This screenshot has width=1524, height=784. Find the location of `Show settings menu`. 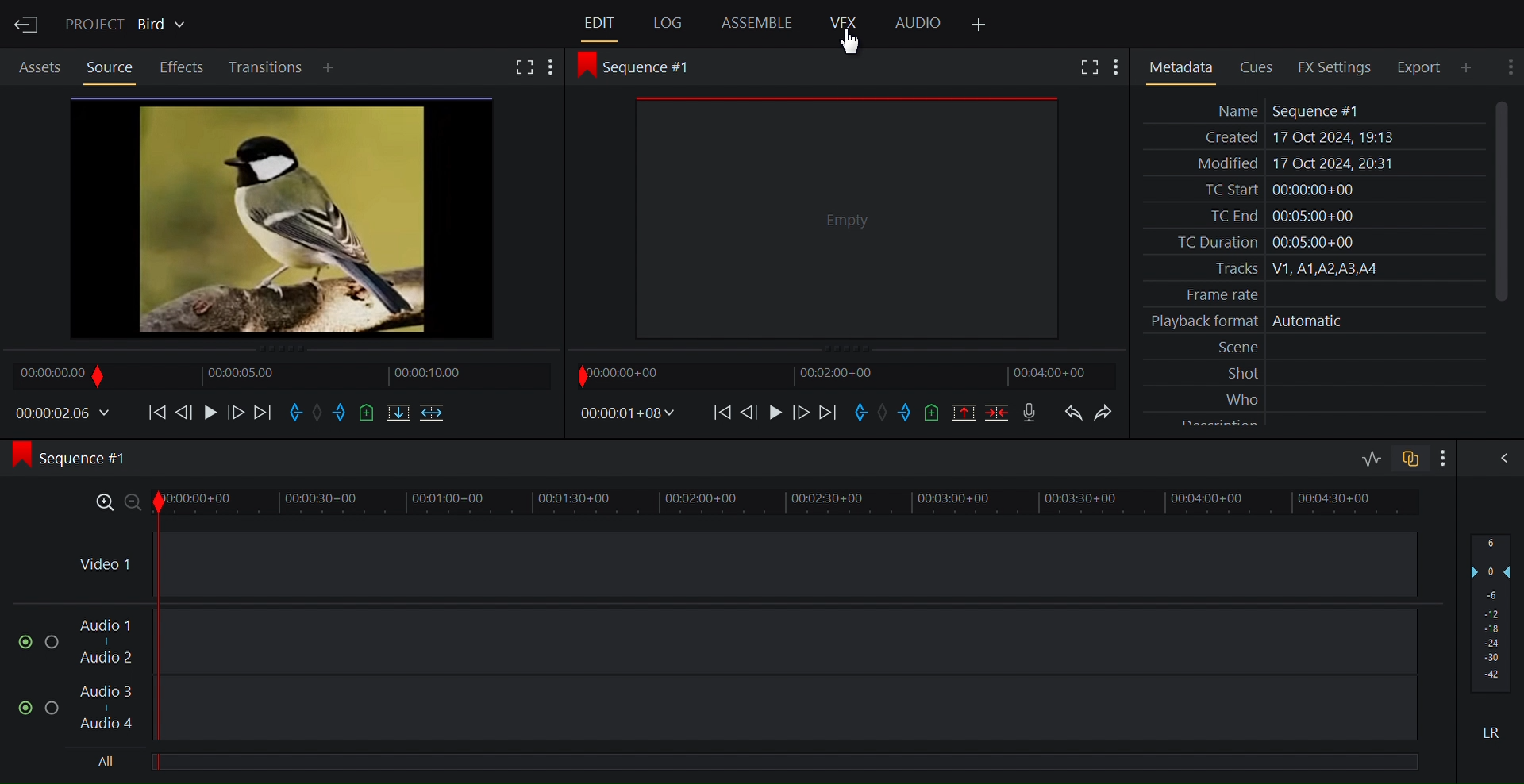

Show settings menu is located at coordinates (556, 66).